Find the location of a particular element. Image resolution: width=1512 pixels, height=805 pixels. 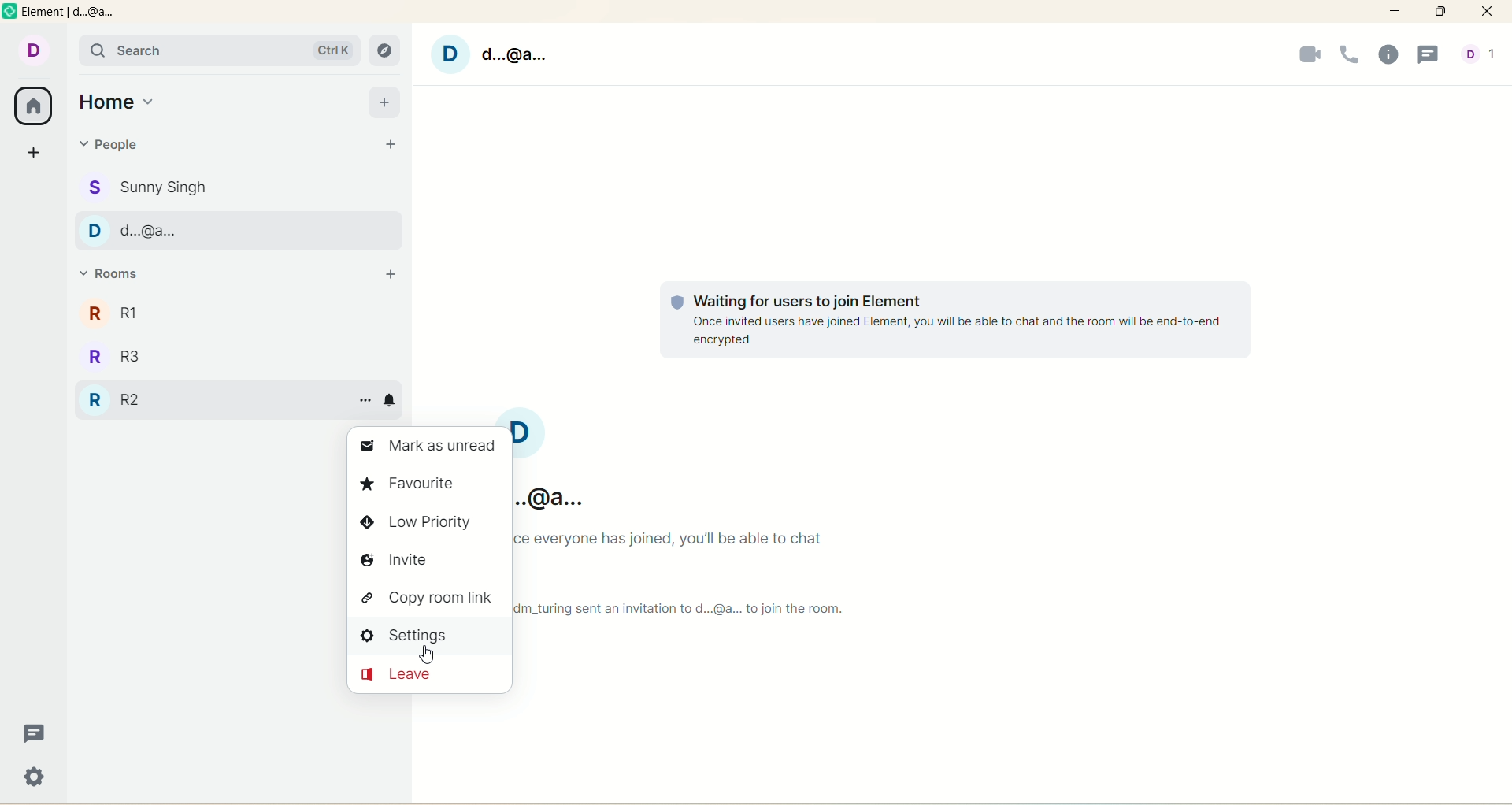

d...@... is located at coordinates (236, 230).